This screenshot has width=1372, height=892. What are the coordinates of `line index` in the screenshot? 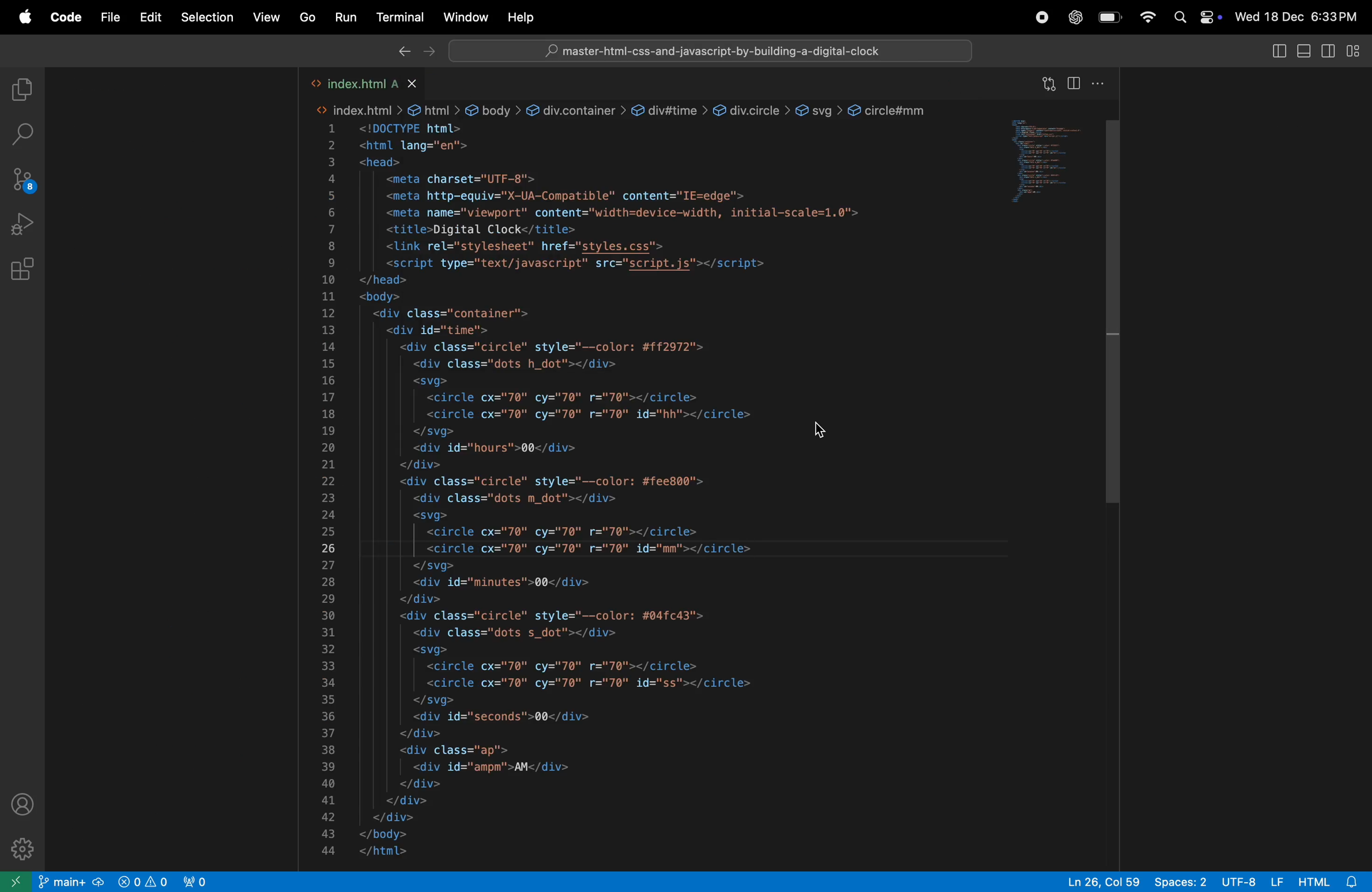 It's located at (330, 495).